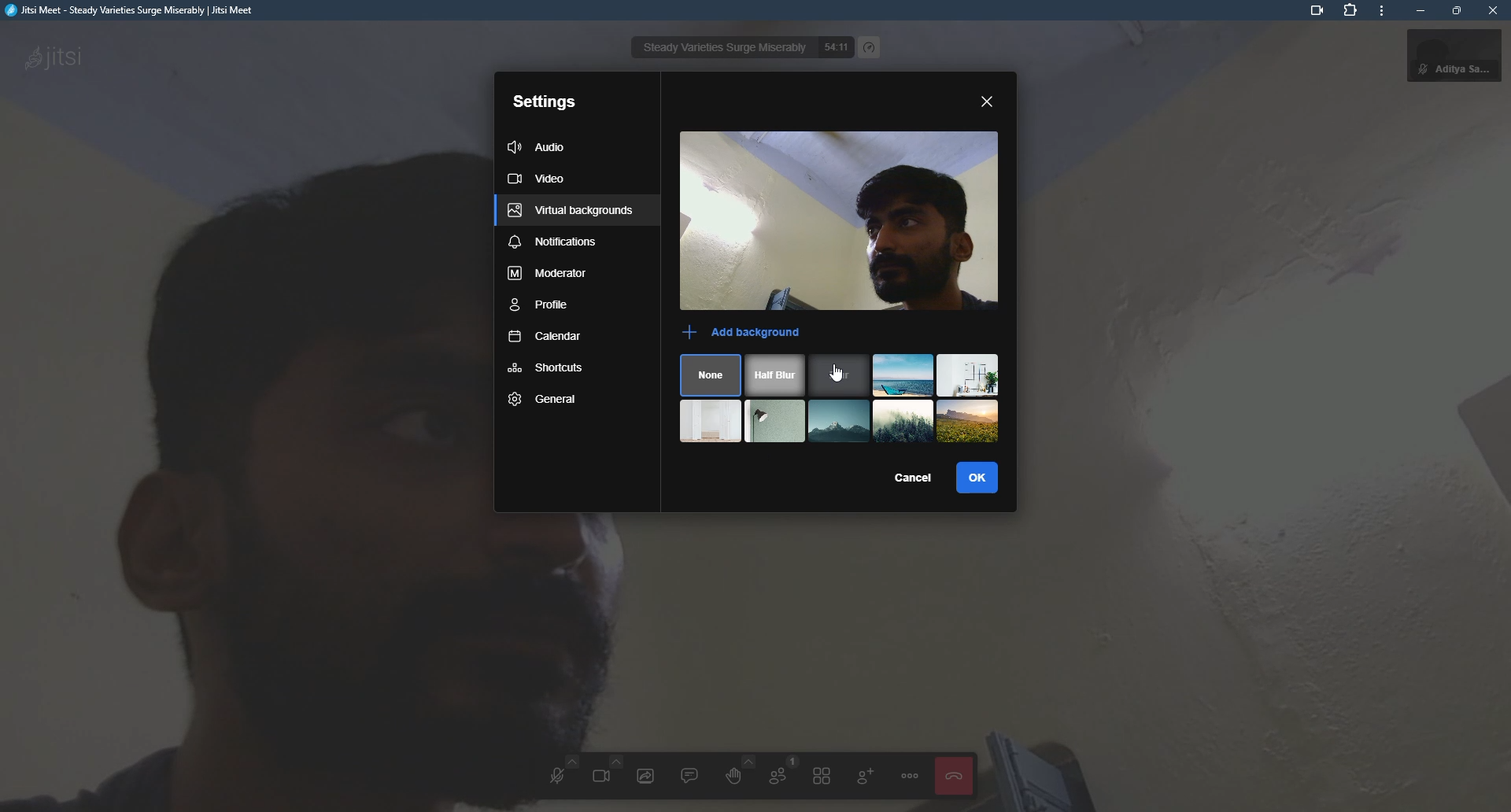 The image size is (1511, 812). Describe the element at coordinates (839, 376) in the screenshot. I see `blur` at that location.